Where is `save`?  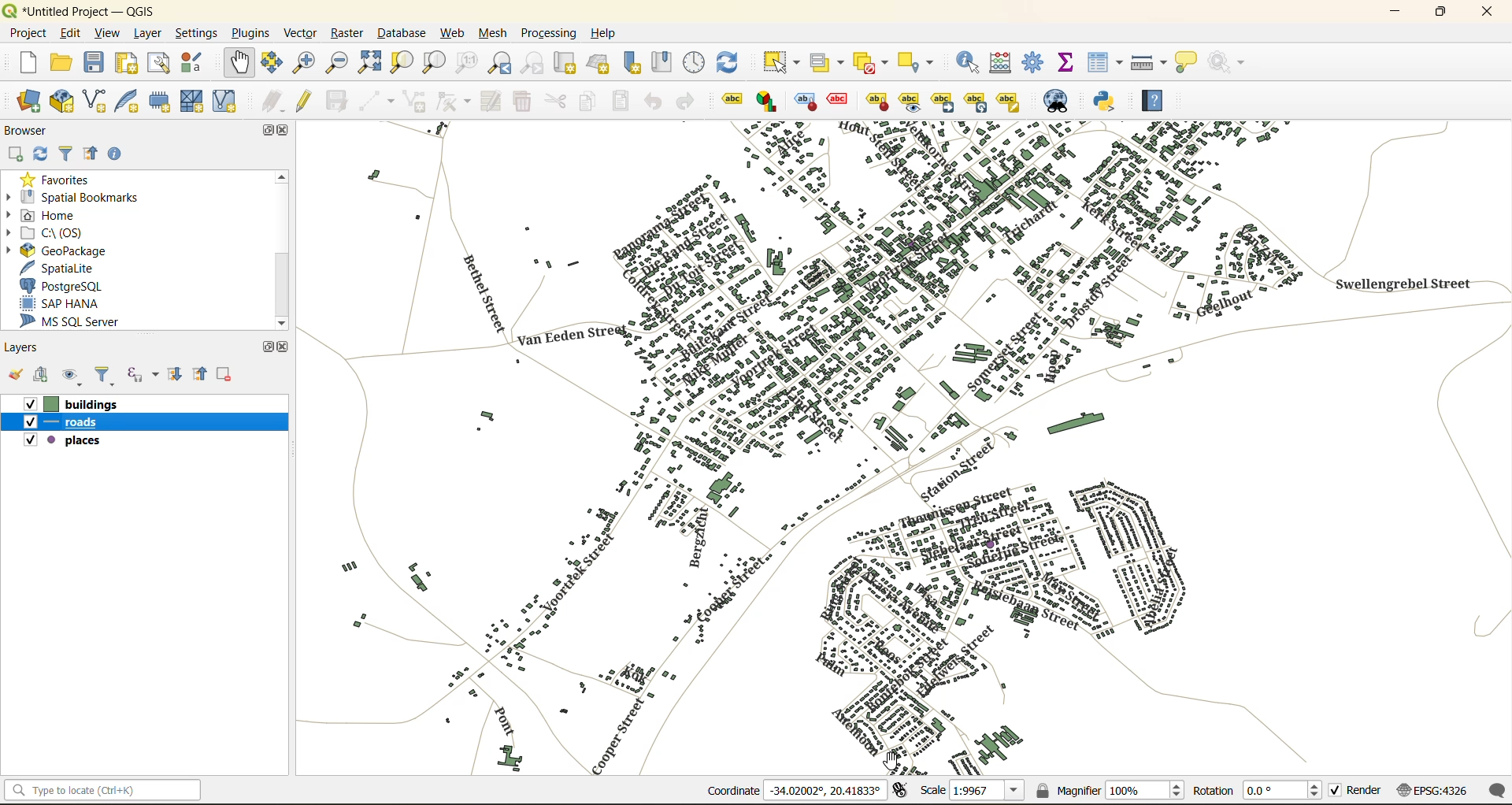 save is located at coordinates (94, 62).